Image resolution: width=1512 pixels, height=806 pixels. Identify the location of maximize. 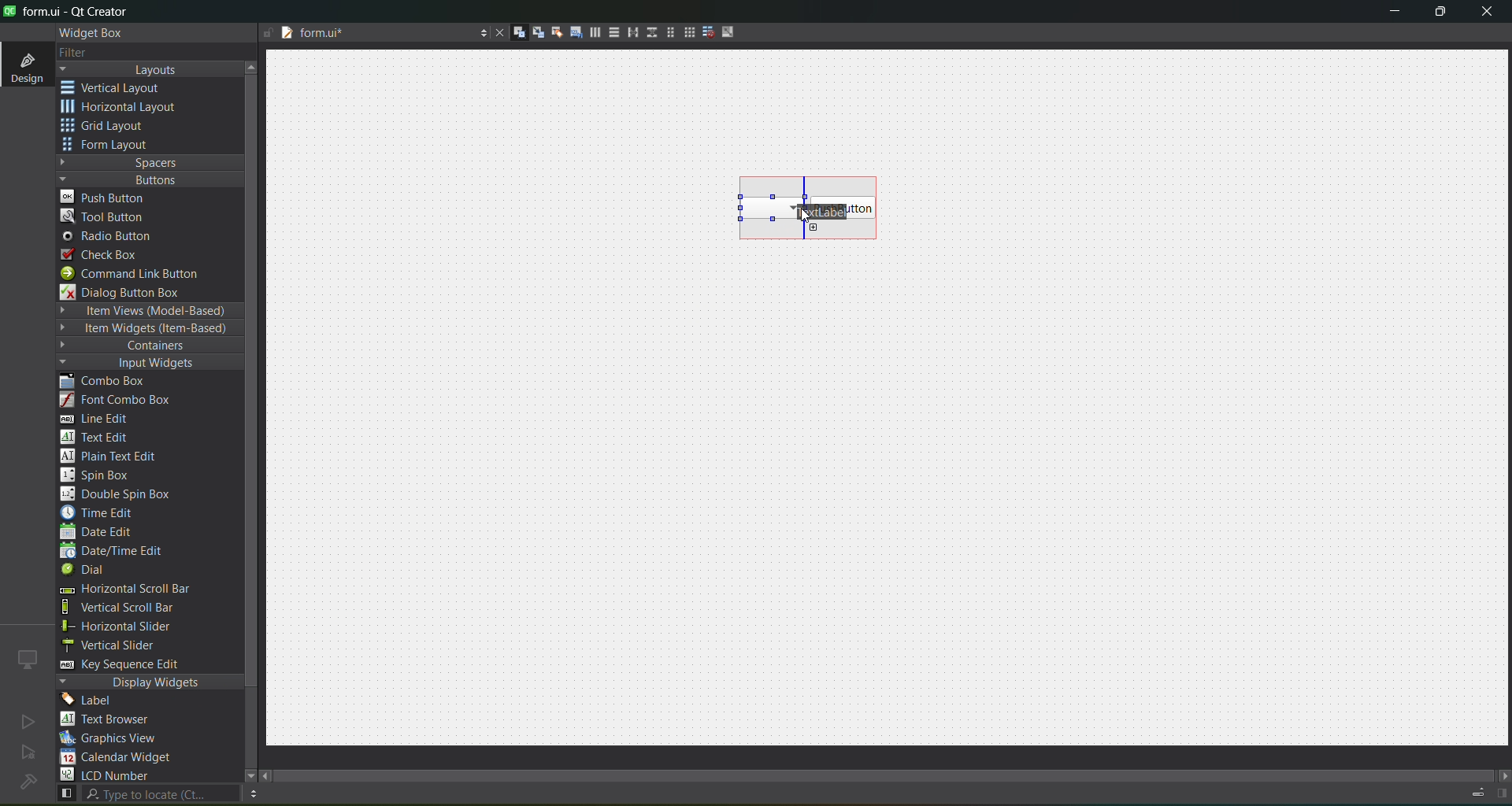
(1441, 14).